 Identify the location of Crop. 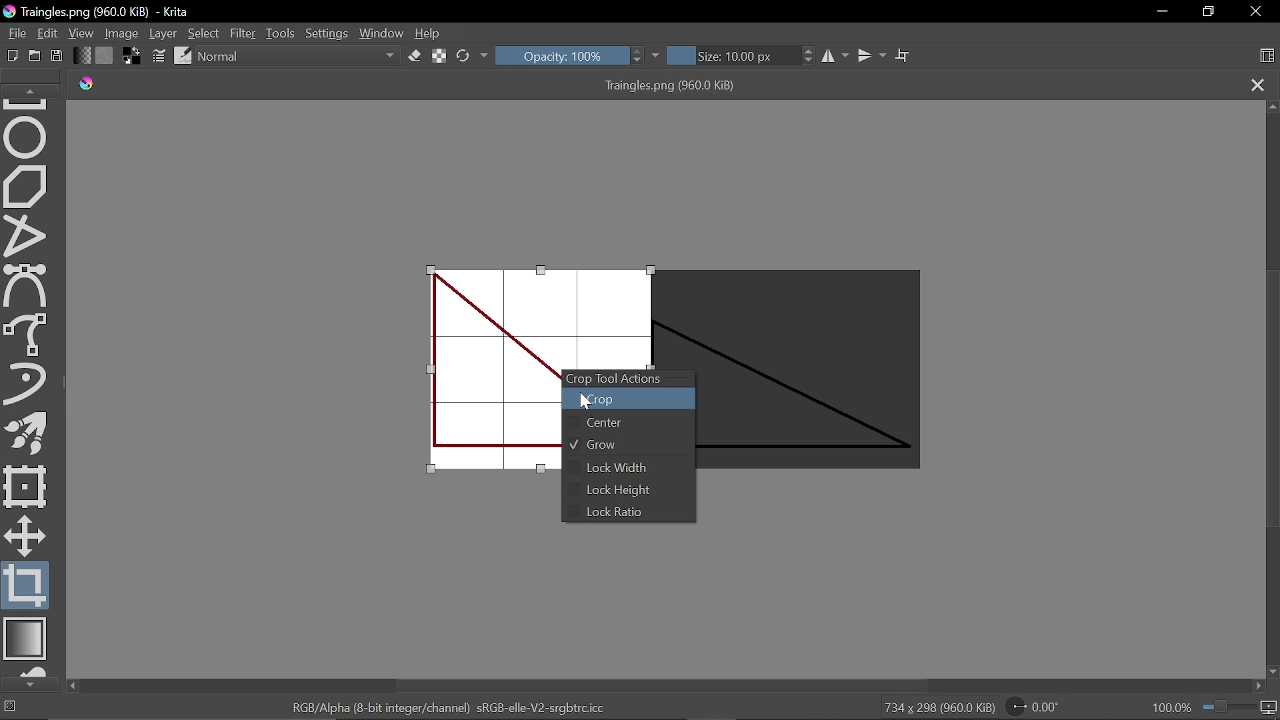
(603, 400).